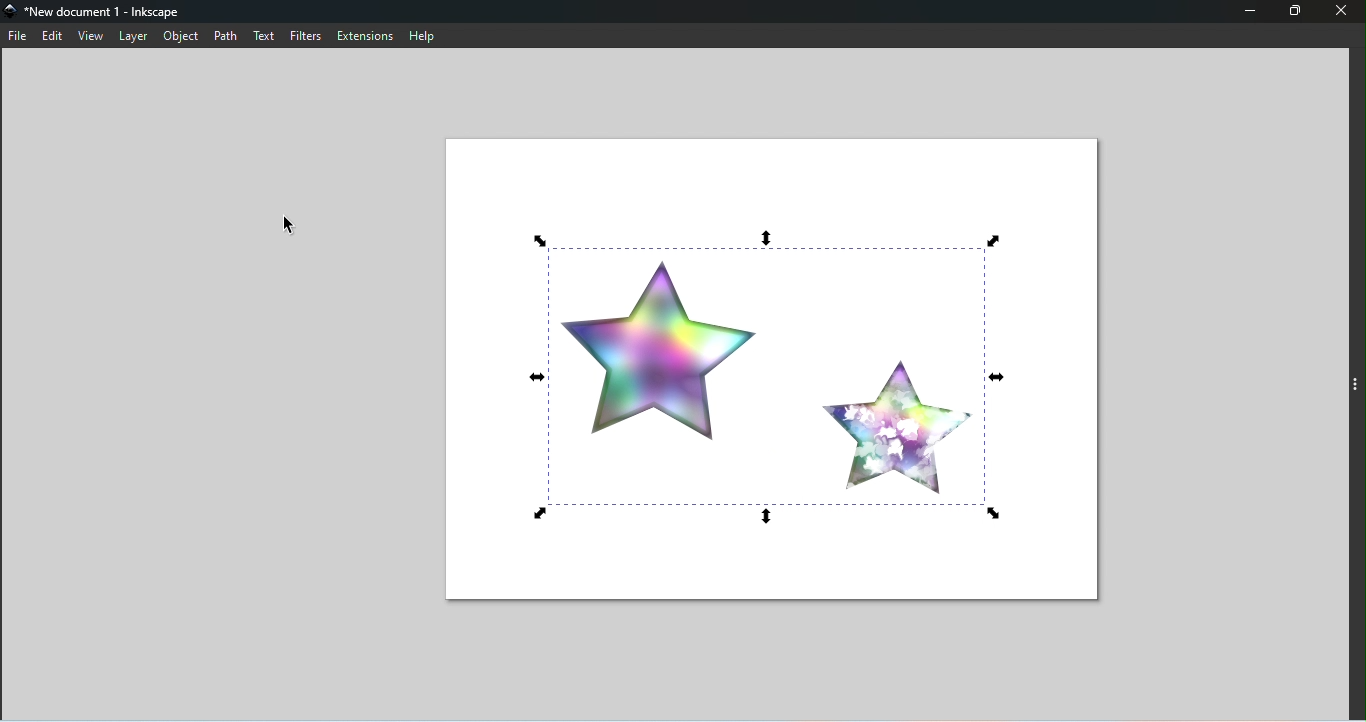  Describe the element at coordinates (286, 225) in the screenshot. I see `Cursor` at that location.